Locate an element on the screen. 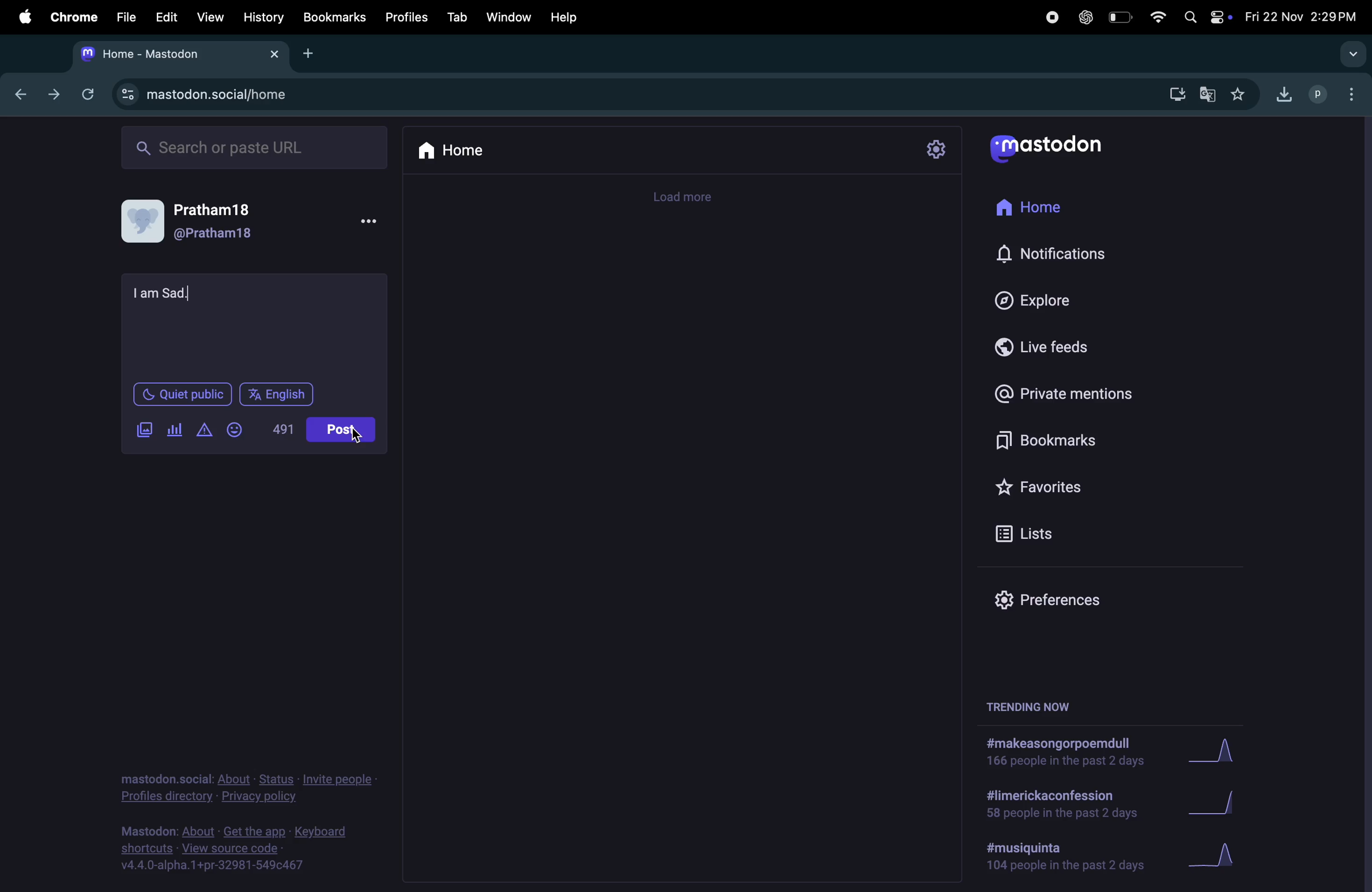 This screenshot has width=1372, height=892. chatgpt is located at coordinates (1087, 18).